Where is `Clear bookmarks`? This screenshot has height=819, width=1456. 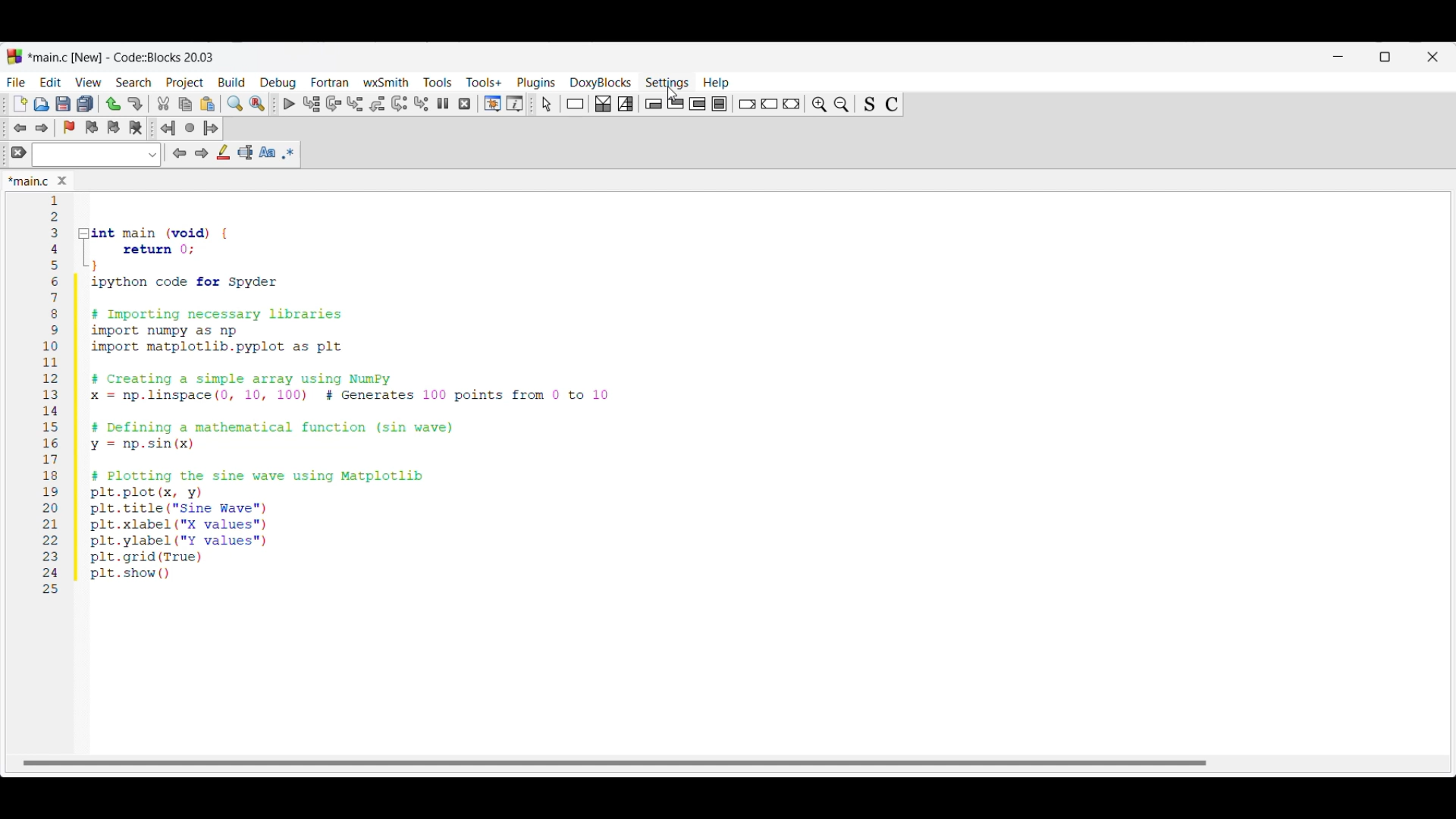
Clear bookmarks is located at coordinates (135, 128).